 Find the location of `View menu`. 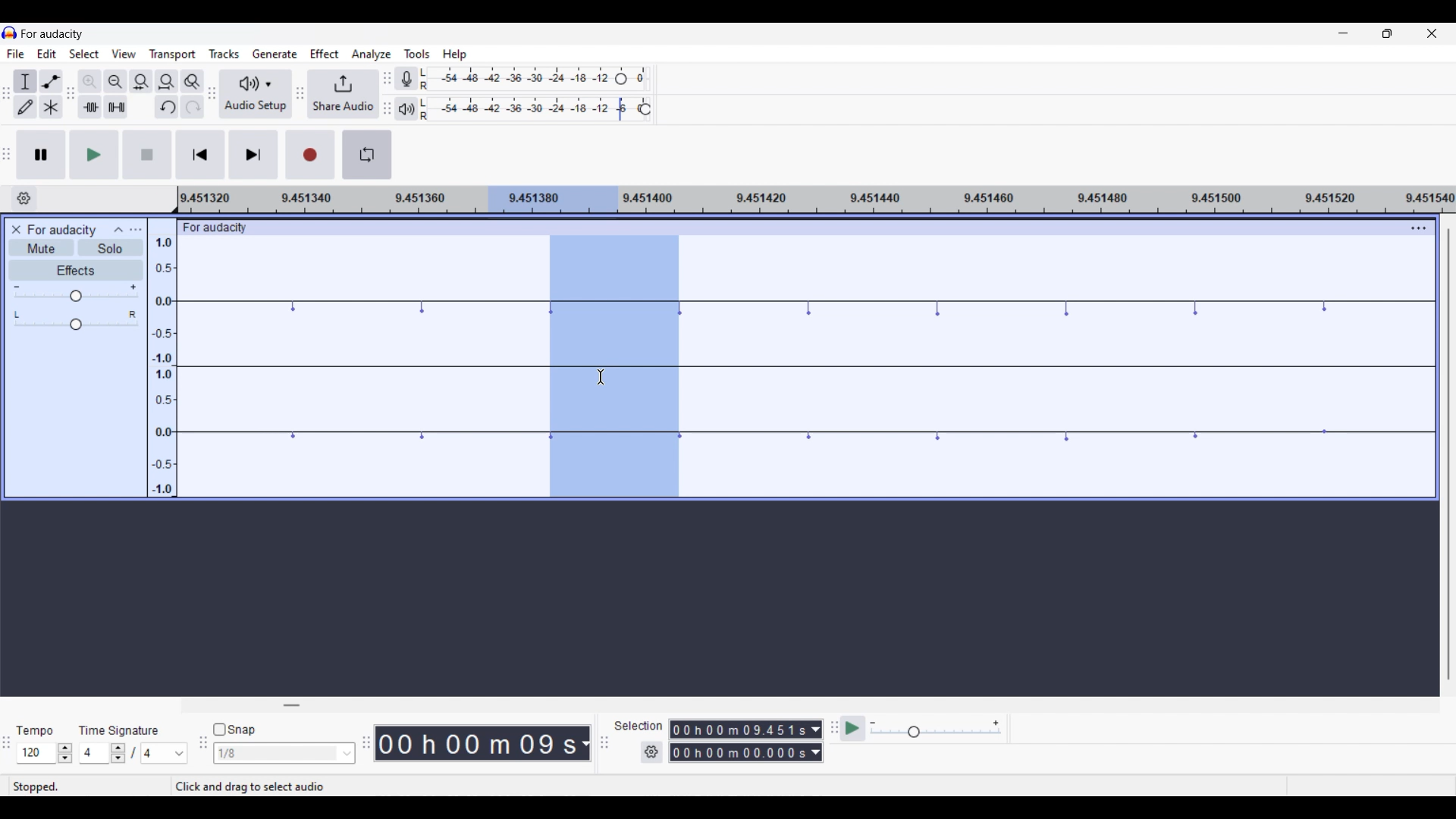

View menu is located at coordinates (124, 53).